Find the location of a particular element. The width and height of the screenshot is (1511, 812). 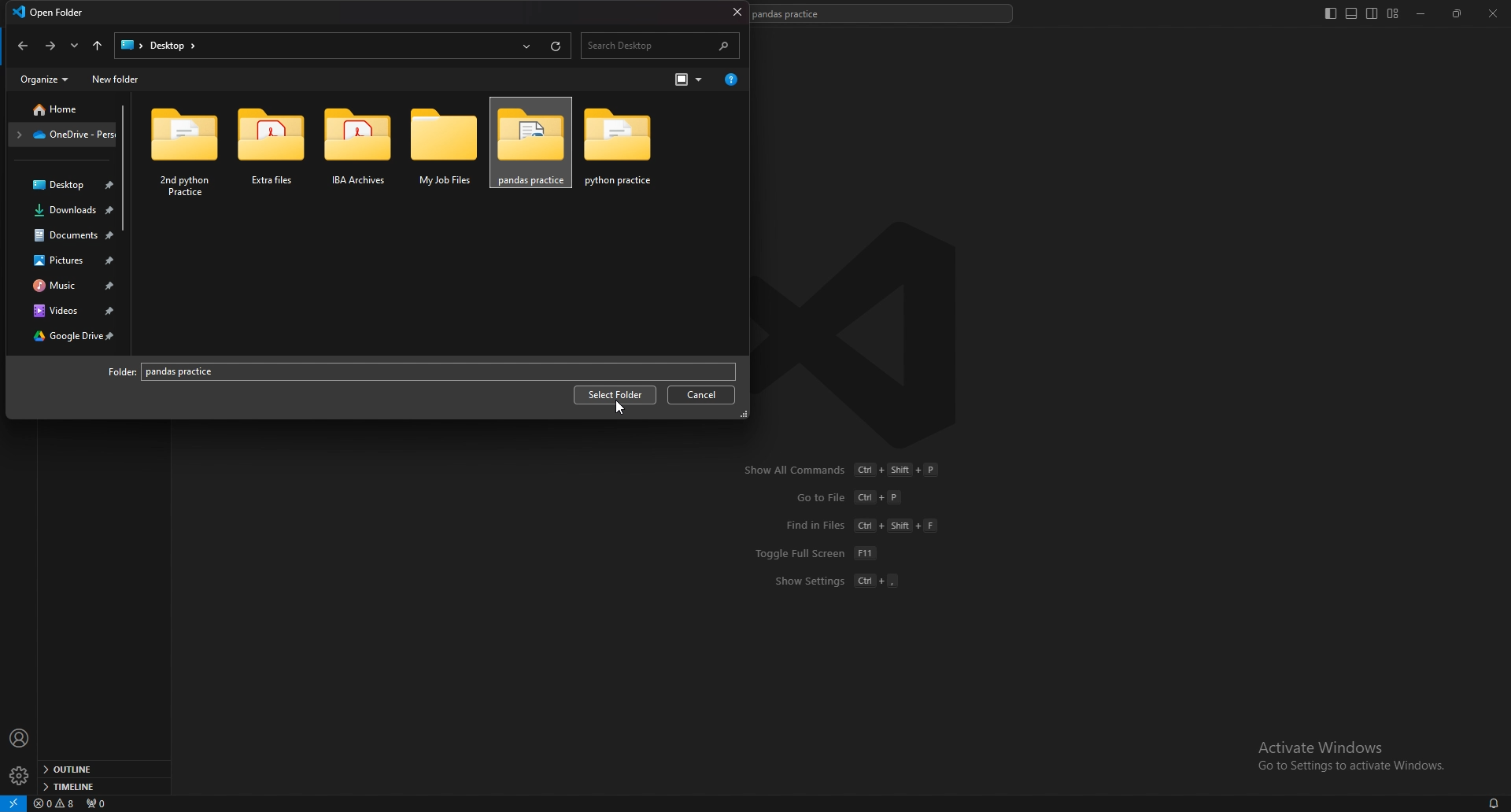

toggle panel is located at coordinates (1351, 14).